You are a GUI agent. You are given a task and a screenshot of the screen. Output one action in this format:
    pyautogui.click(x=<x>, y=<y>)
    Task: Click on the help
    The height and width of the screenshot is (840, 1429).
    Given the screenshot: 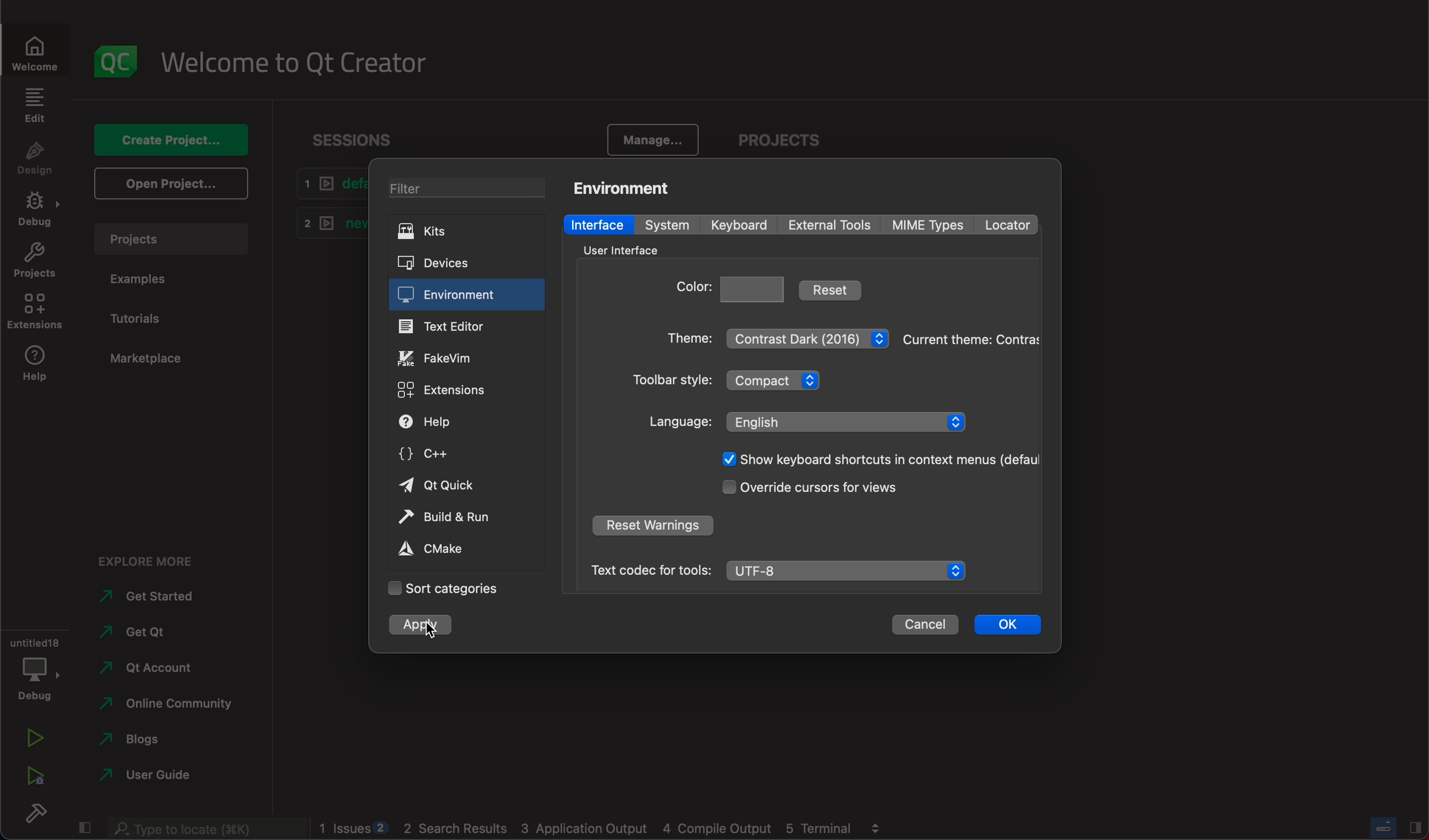 What is the action you would take?
    pyautogui.click(x=453, y=423)
    